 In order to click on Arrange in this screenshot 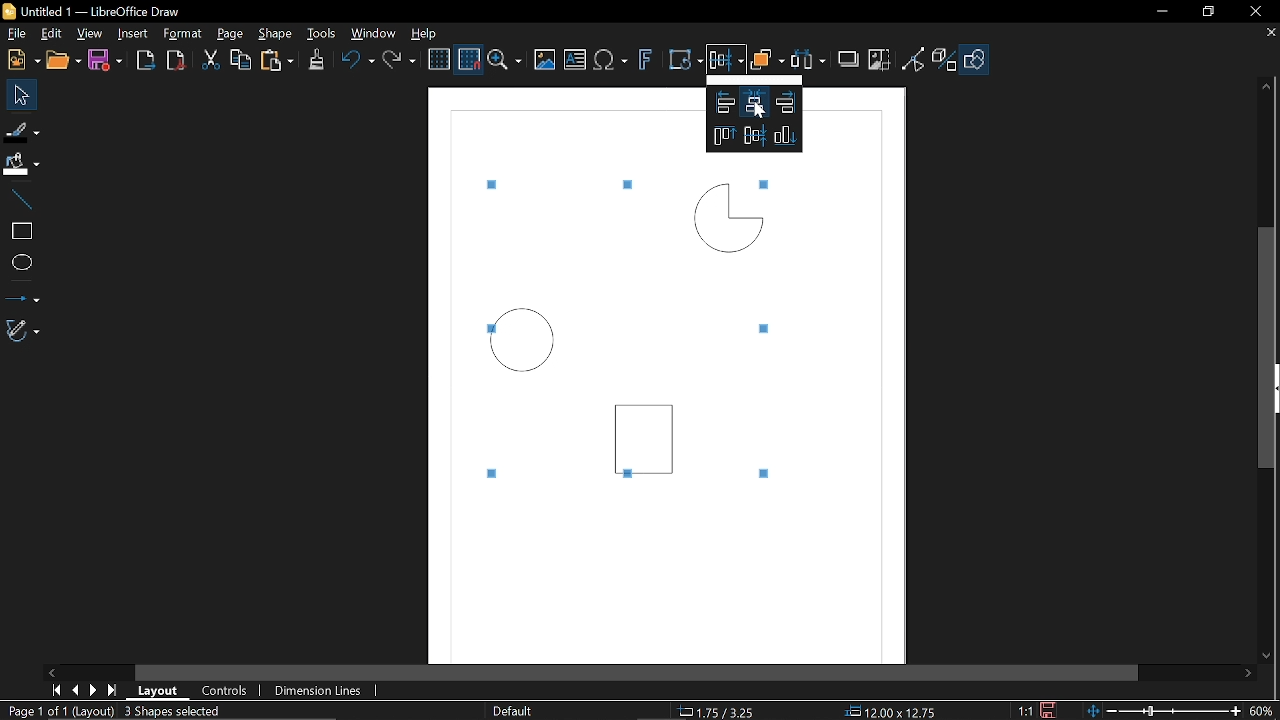, I will do `click(768, 62)`.